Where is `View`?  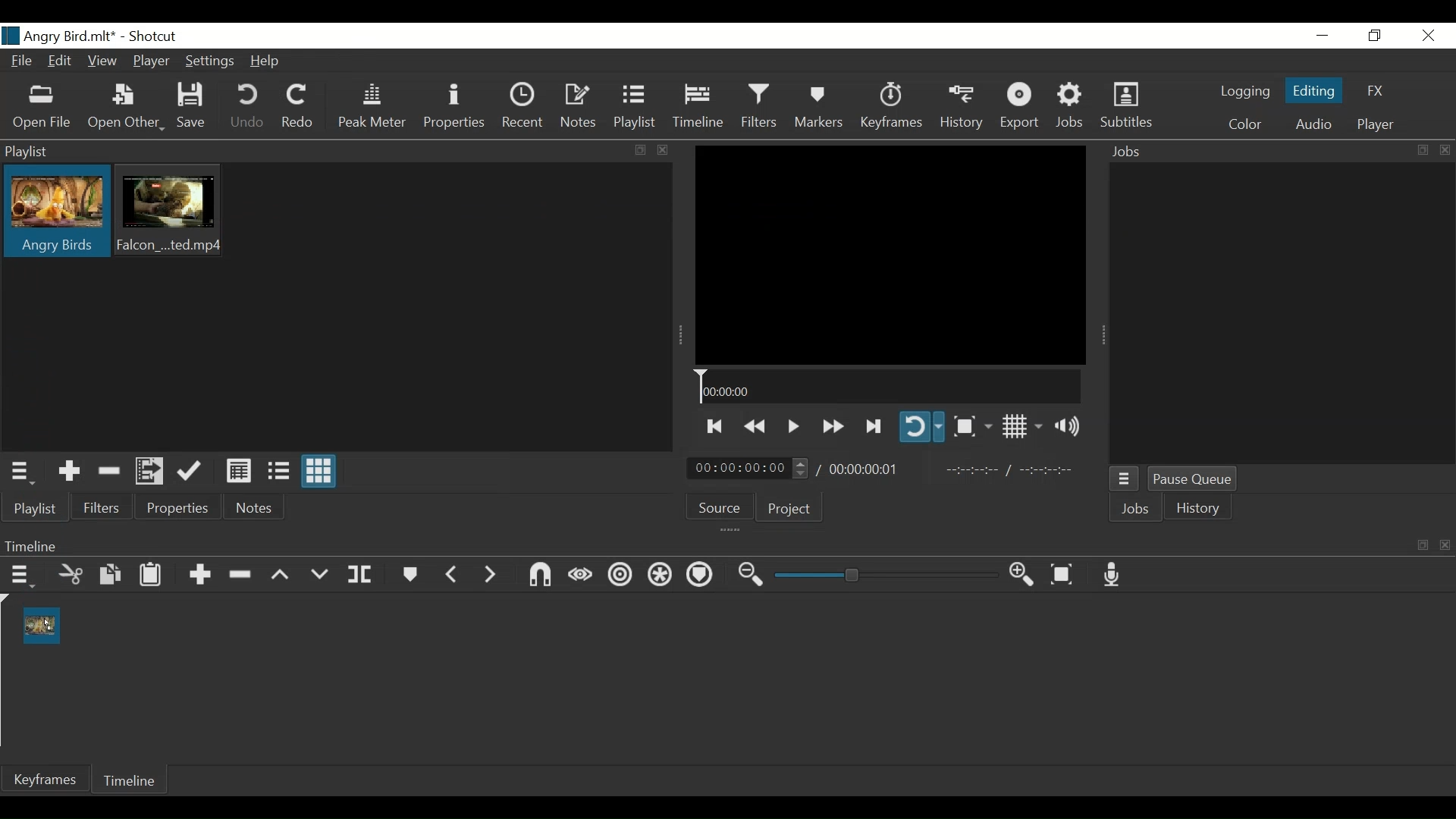
View is located at coordinates (102, 61).